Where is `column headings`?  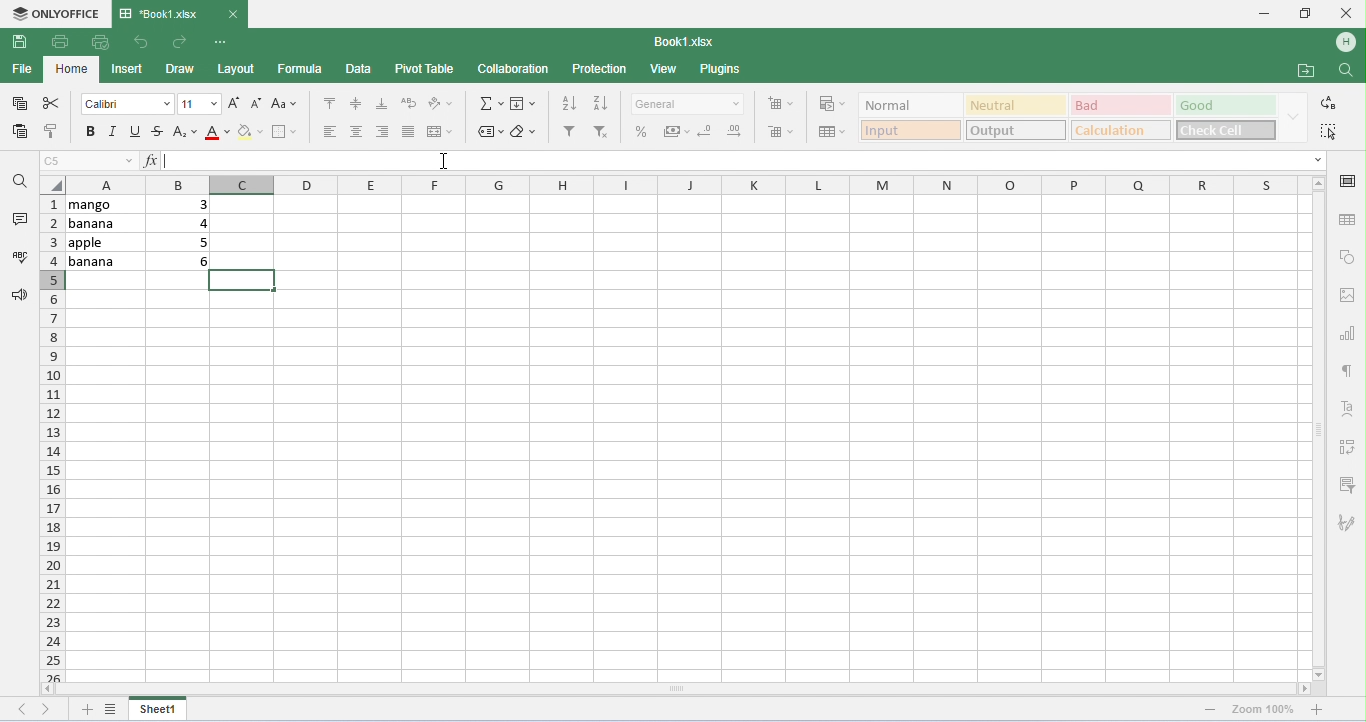 column headings is located at coordinates (686, 184).